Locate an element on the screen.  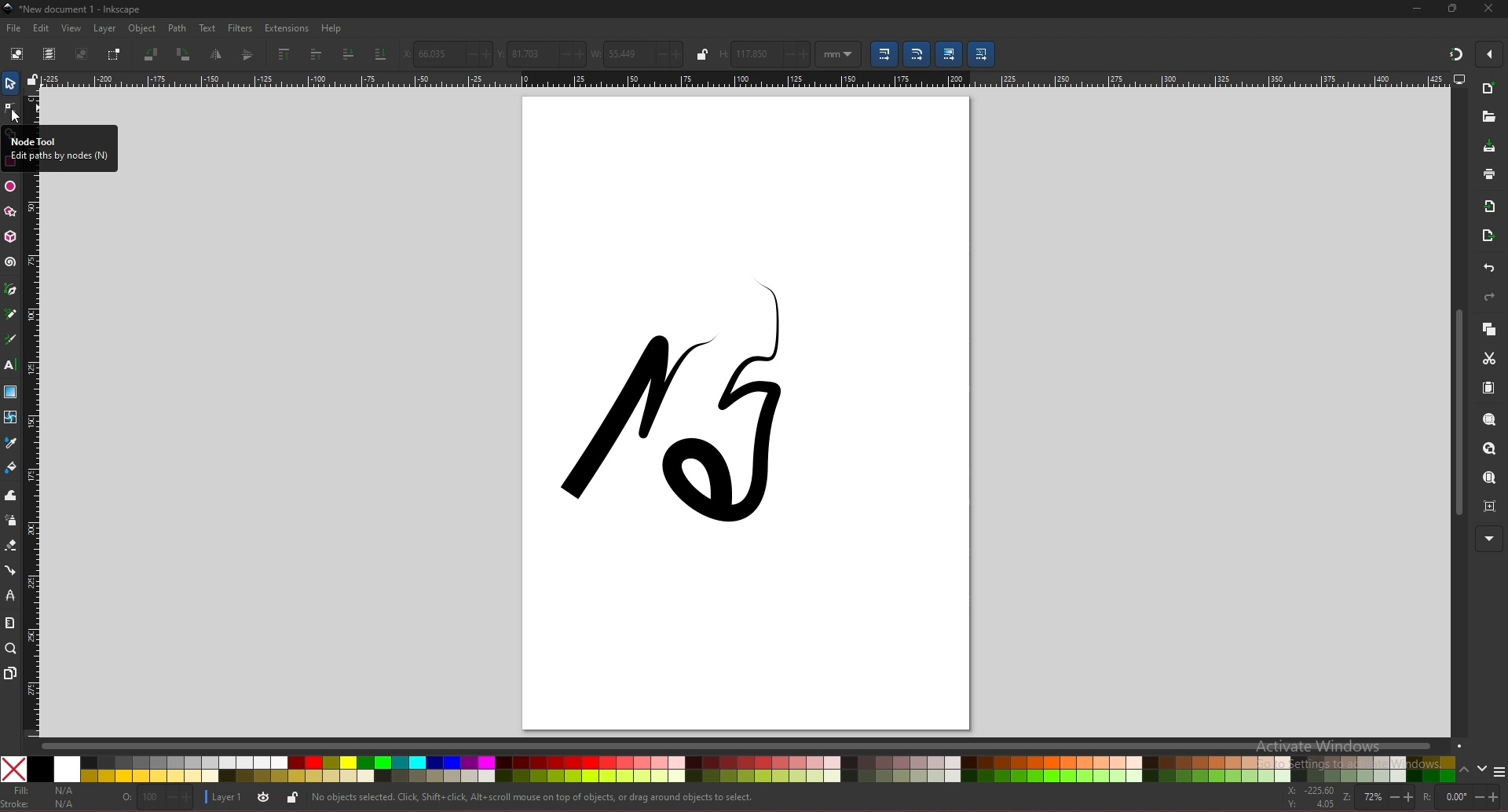
import is located at coordinates (1490, 207).